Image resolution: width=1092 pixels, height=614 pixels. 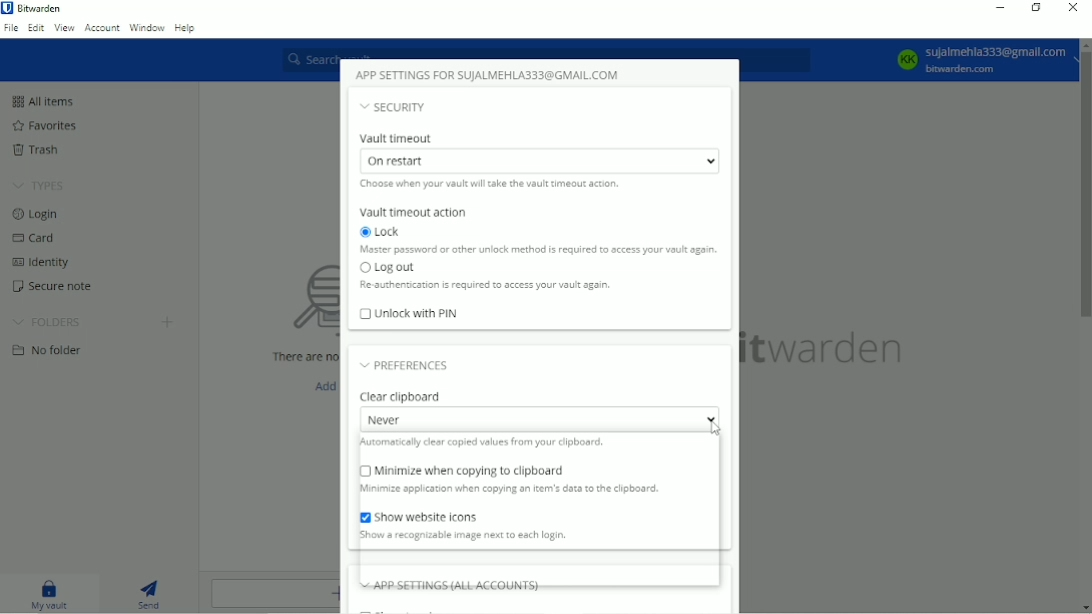 What do you see at coordinates (980, 61) in the screenshot?
I see `Account` at bounding box center [980, 61].